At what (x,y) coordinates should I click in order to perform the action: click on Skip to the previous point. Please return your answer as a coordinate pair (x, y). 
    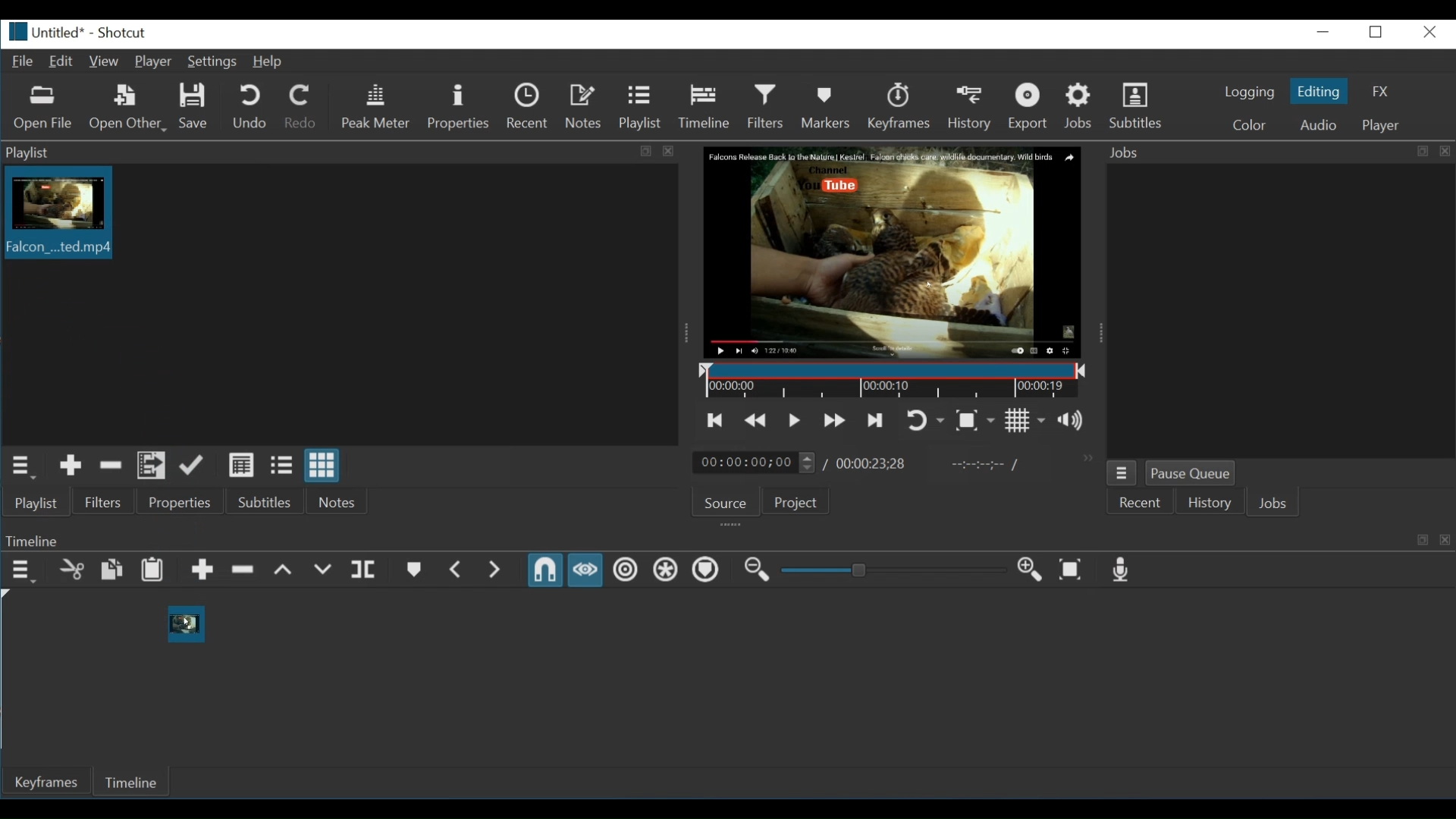
    Looking at the image, I should click on (716, 421).